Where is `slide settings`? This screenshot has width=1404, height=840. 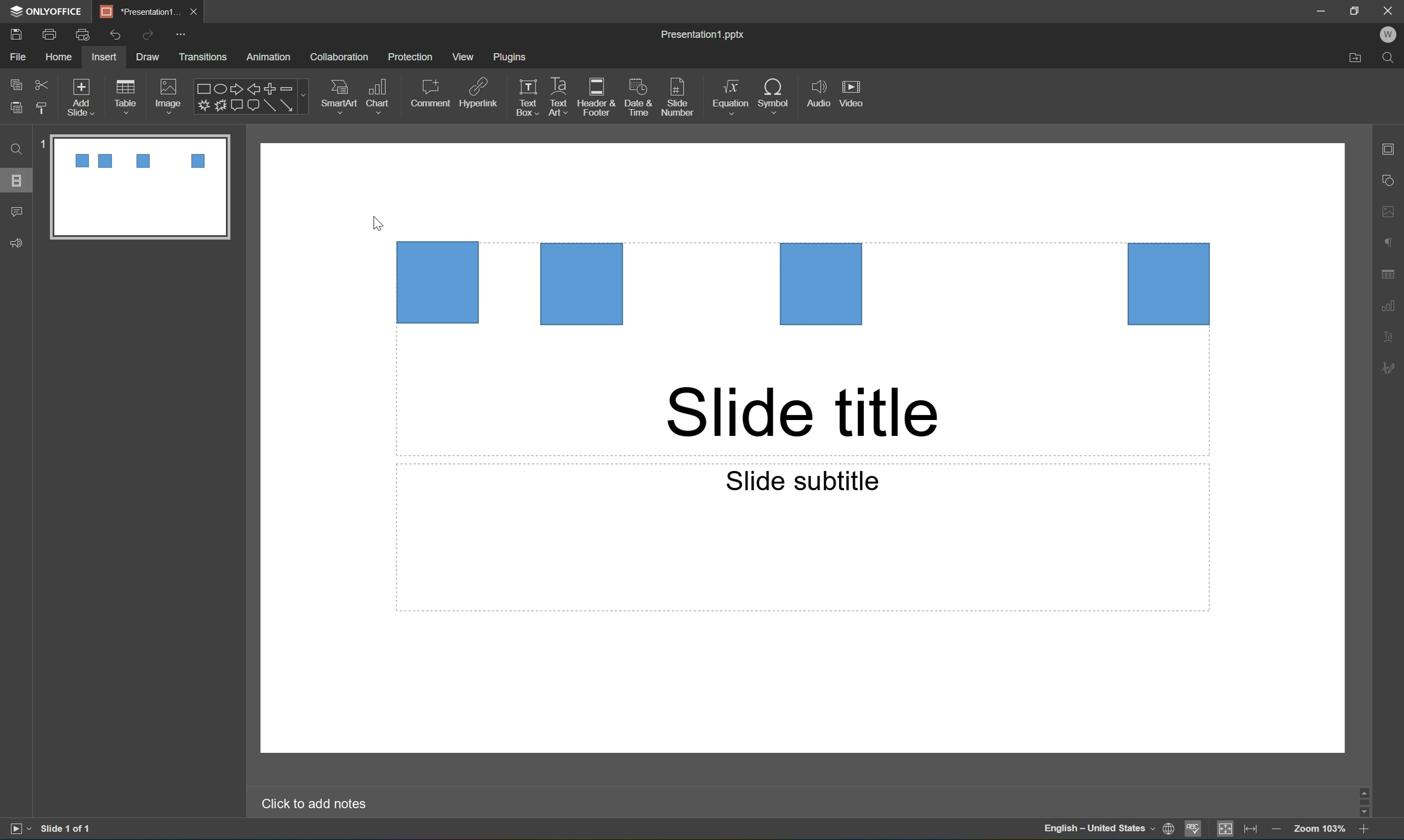 slide settings is located at coordinates (1393, 150).